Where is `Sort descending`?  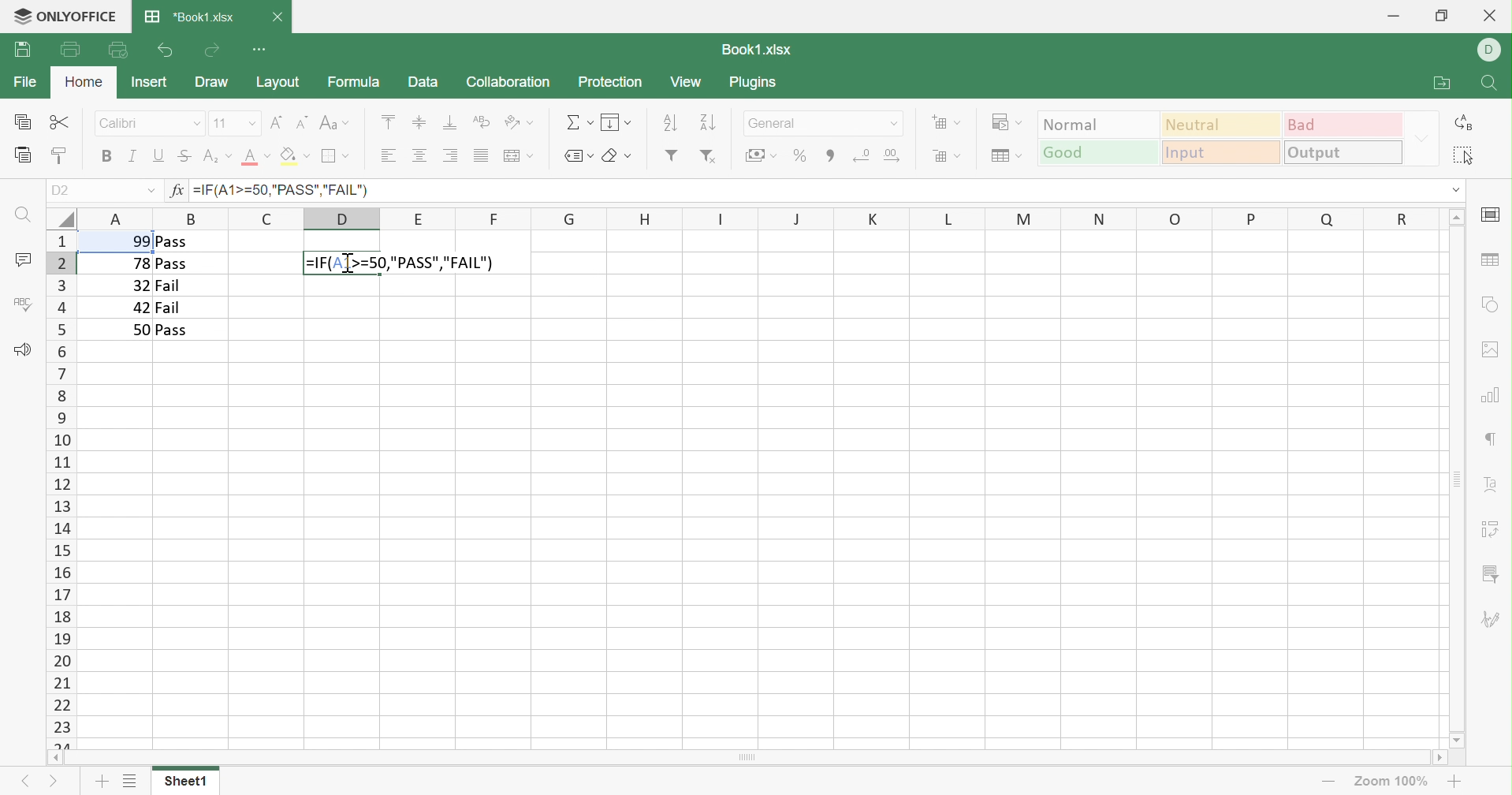 Sort descending is located at coordinates (669, 121).